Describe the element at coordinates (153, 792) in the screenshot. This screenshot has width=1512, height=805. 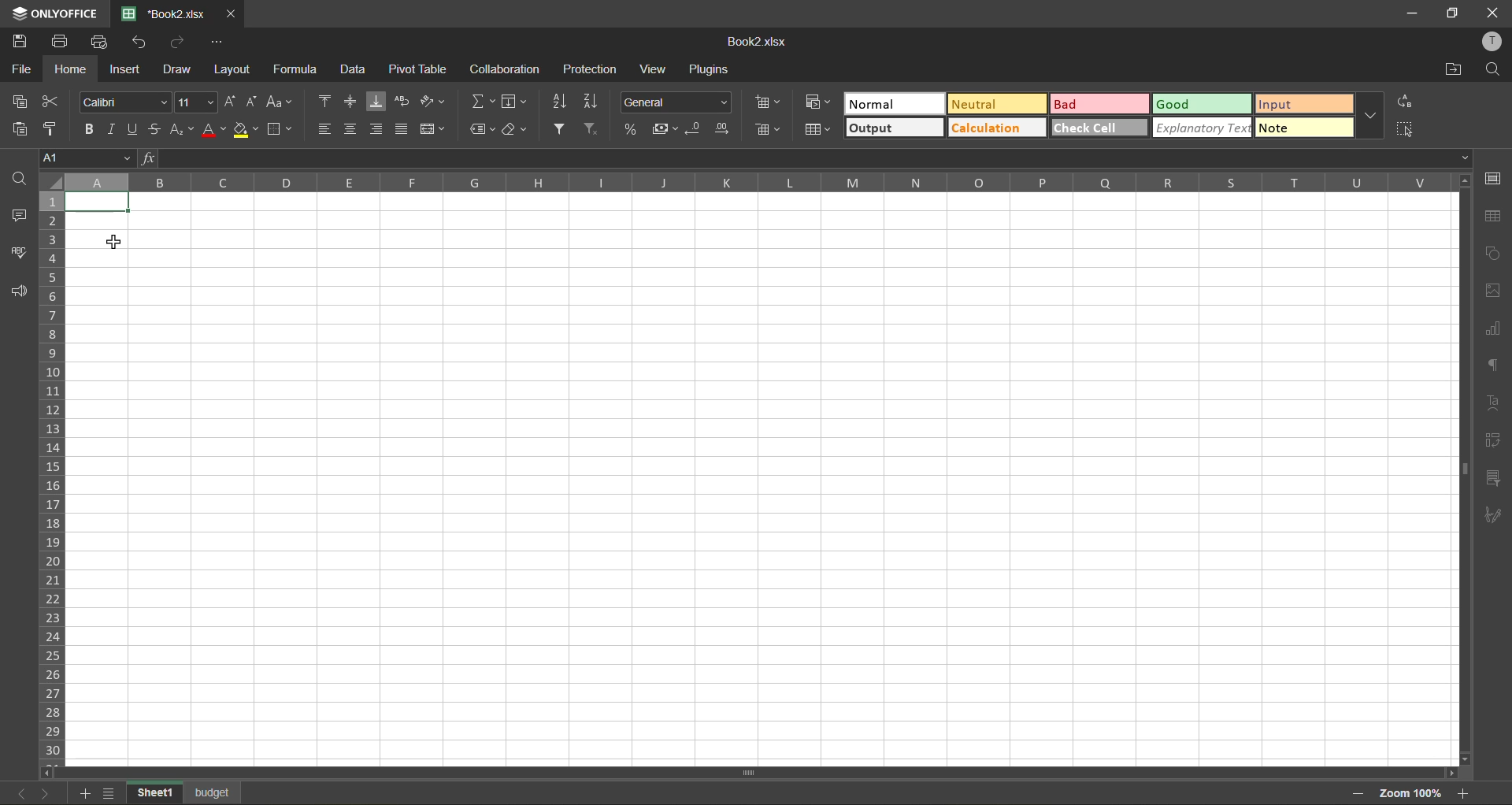
I see `sheet names` at that location.